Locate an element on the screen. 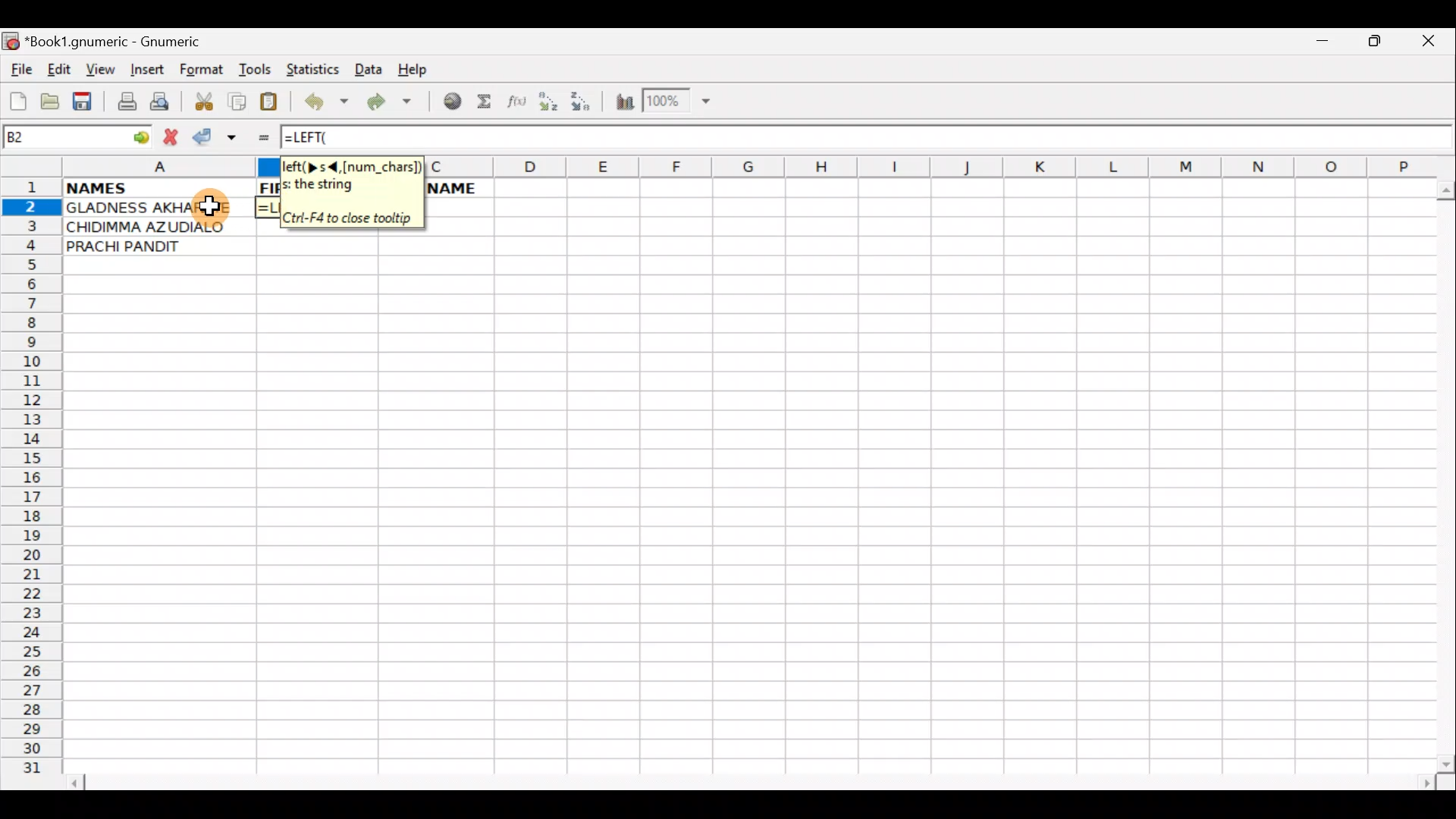 The image size is (1456, 819). Insert is located at coordinates (146, 70).